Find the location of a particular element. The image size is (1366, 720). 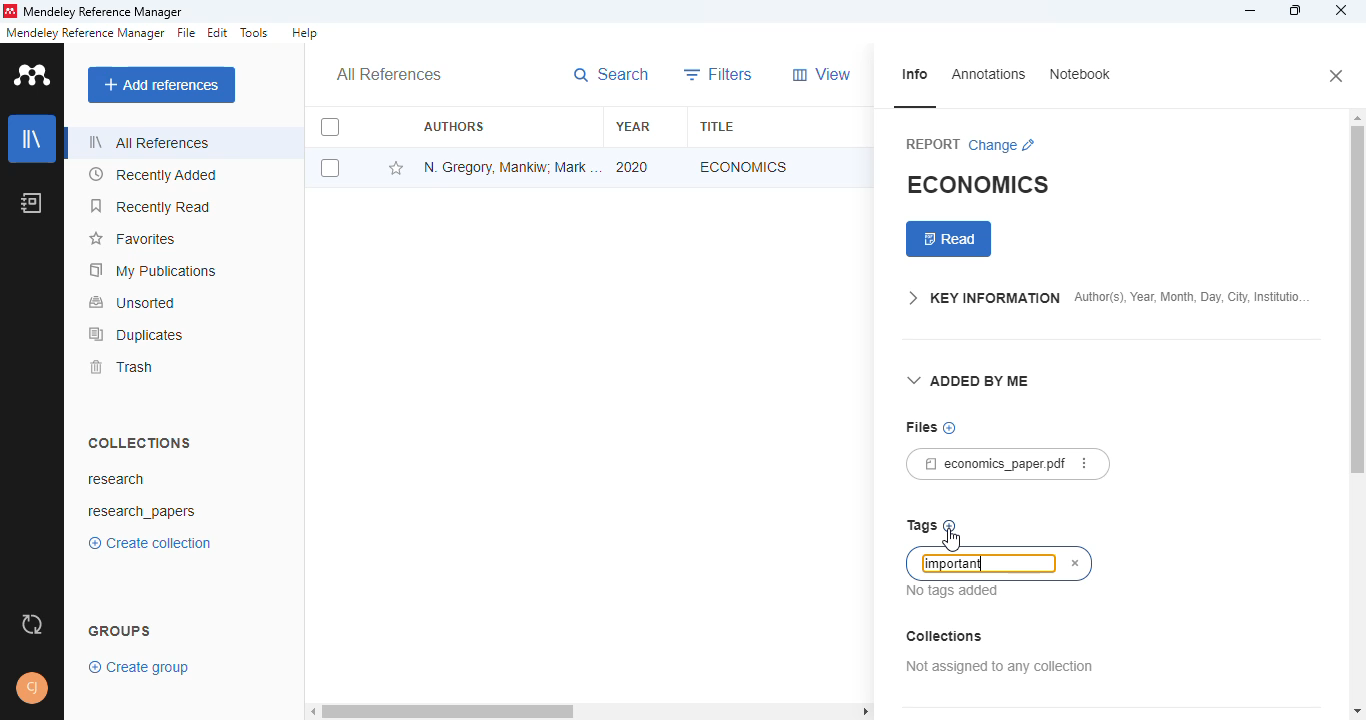

research is located at coordinates (115, 478).